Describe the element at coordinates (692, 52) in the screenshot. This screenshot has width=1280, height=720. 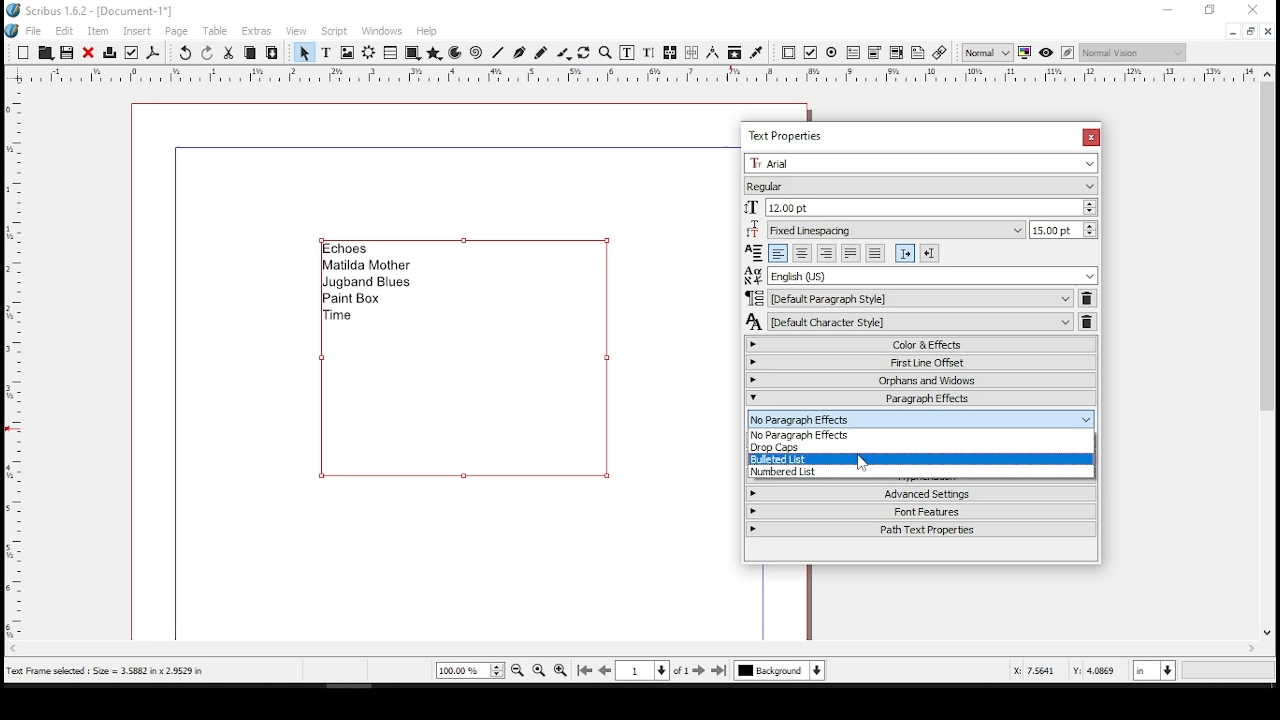
I see `unlink text frames` at that location.